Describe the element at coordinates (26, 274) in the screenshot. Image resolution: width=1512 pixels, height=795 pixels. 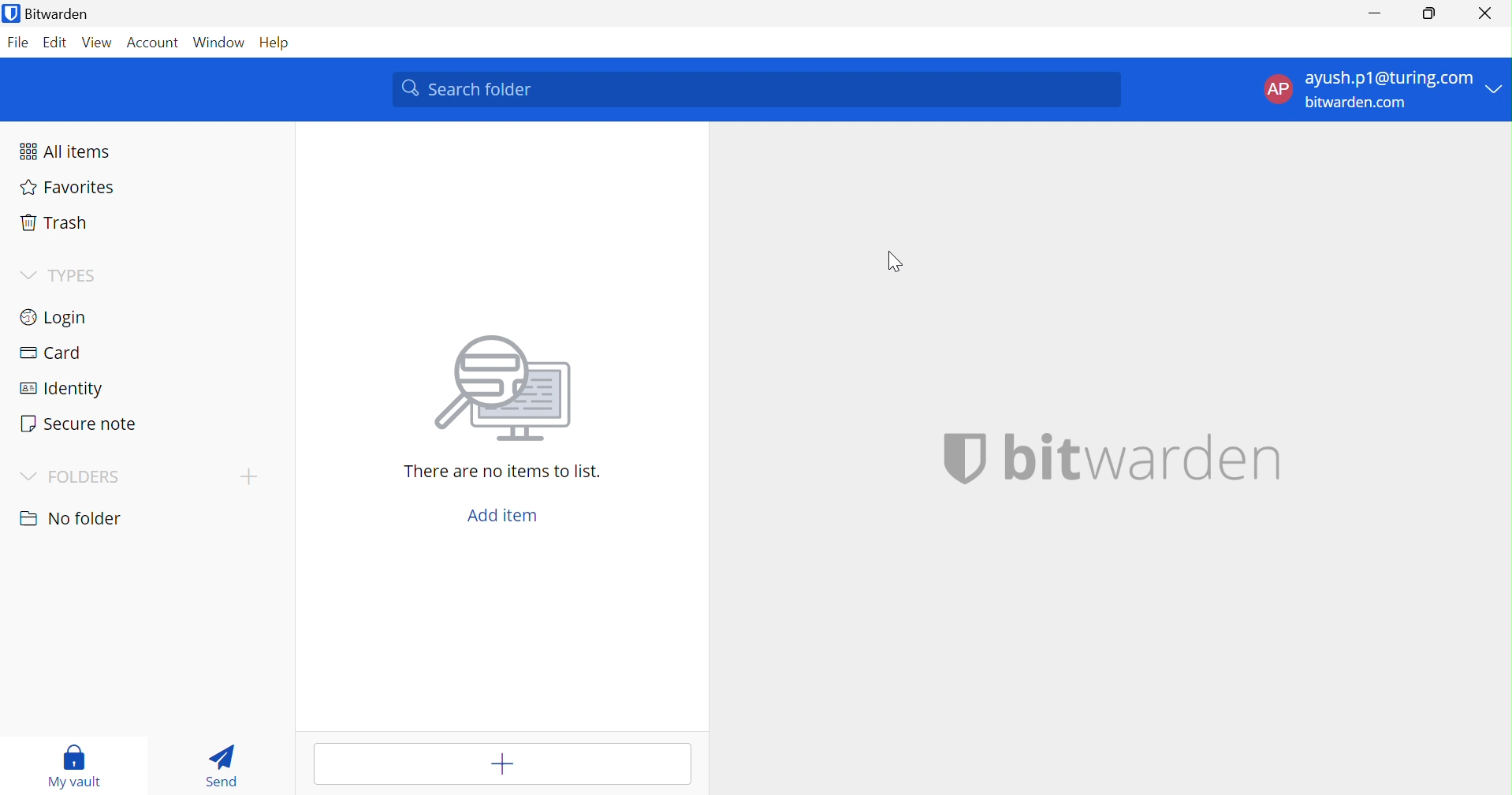
I see `Drop Down` at that location.